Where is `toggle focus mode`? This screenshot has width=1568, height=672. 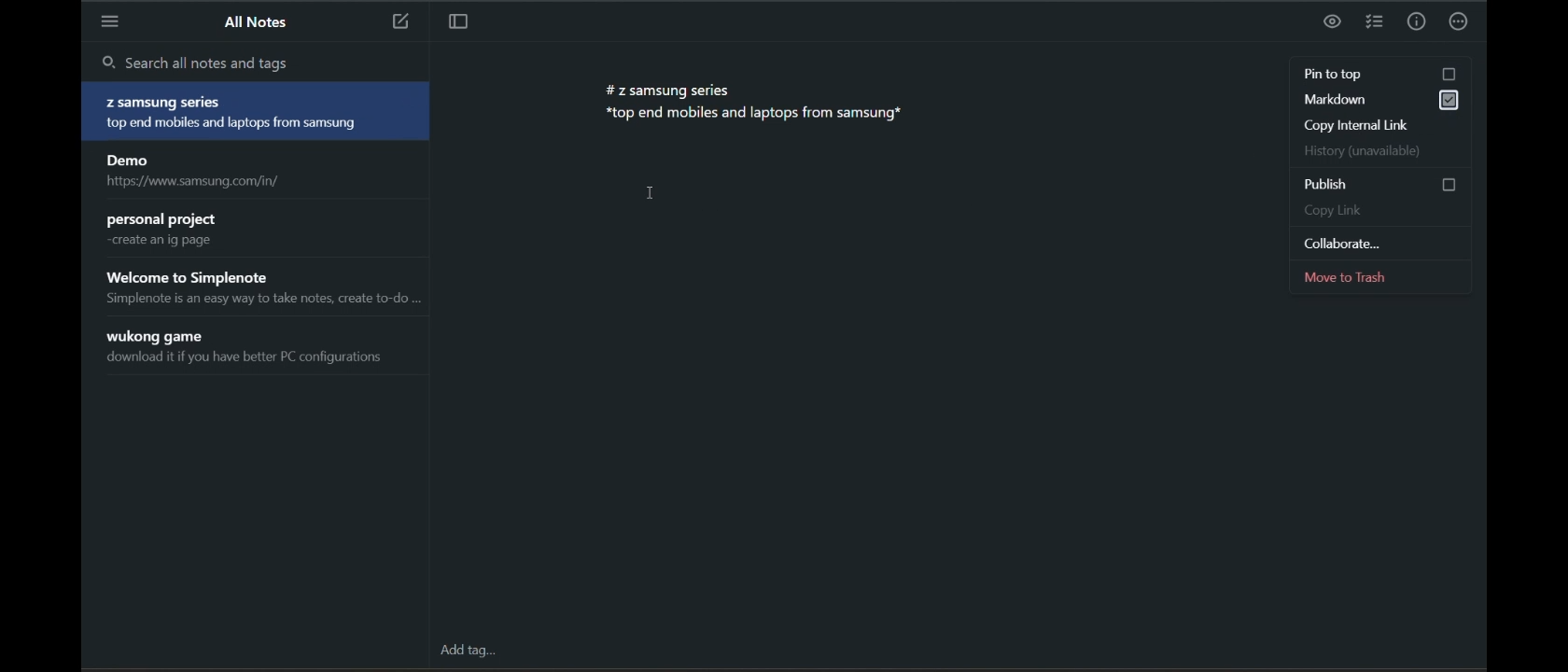
toggle focus mode is located at coordinates (457, 24).